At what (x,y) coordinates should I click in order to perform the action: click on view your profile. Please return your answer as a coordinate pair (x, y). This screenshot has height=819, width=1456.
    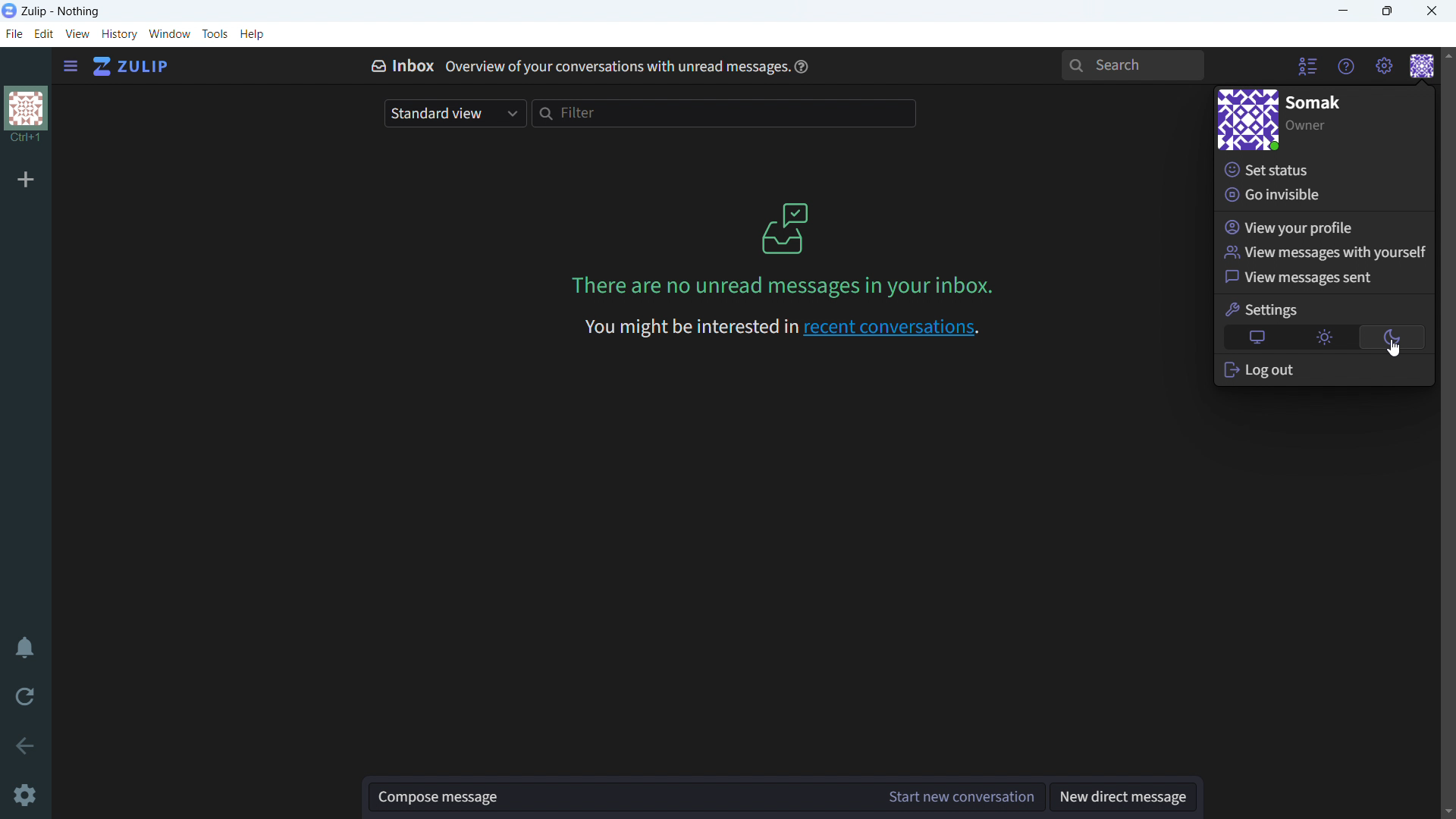
    Looking at the image, I should click on (1322, 226).